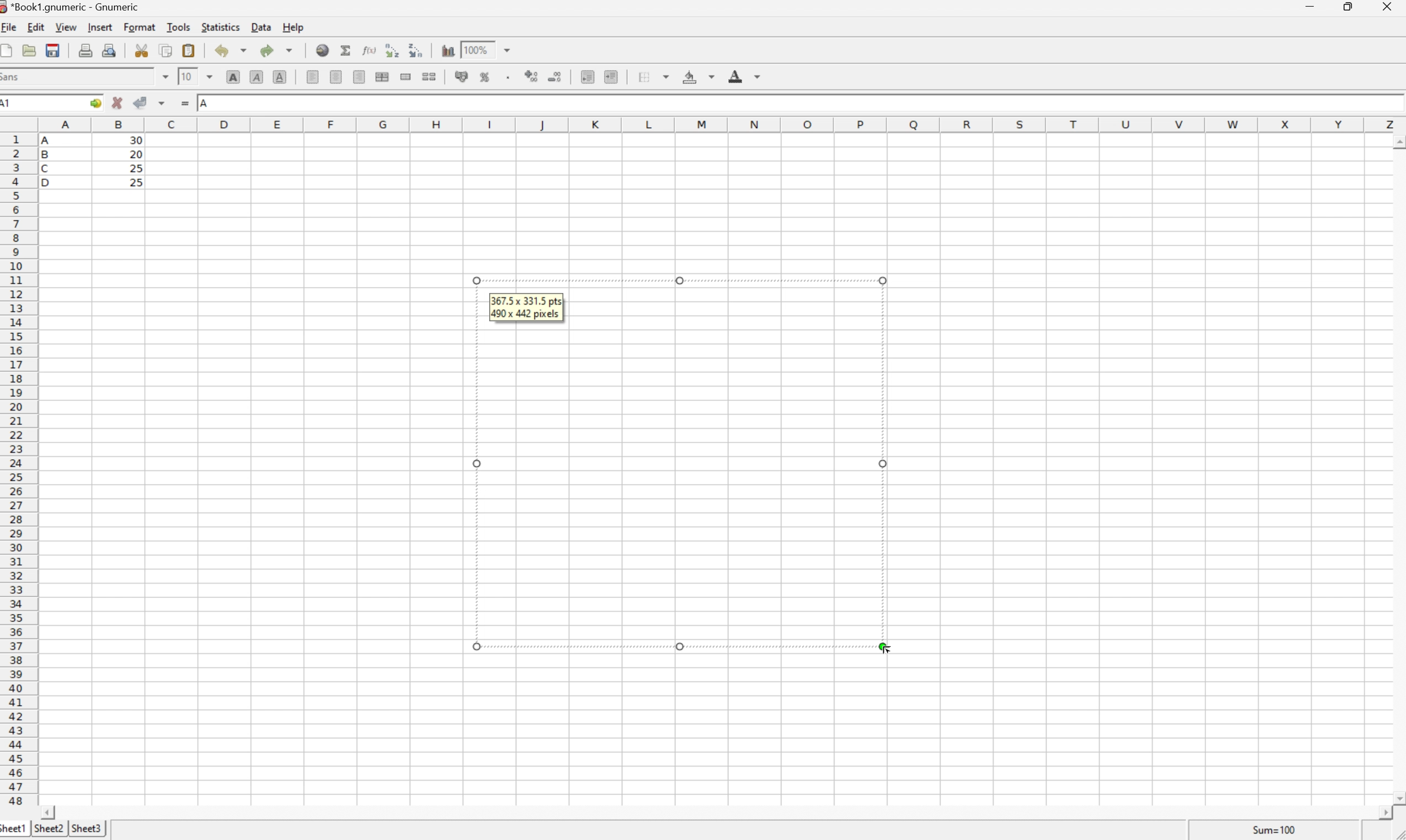 This screenshot has height=840, width=1406. I want to click on 25, so click(135, 168).